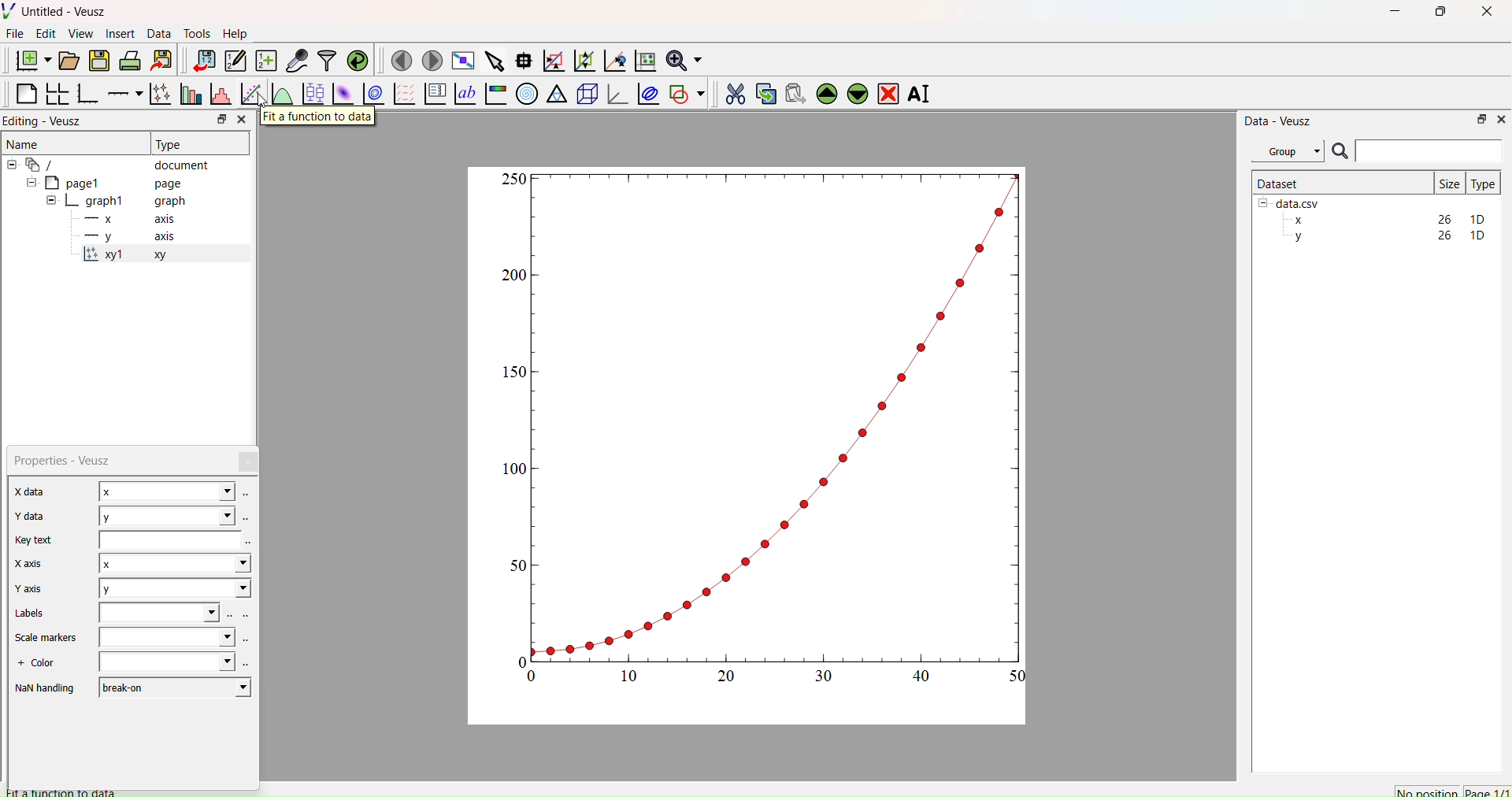 This screenshot has width=1512, height=797. What do you see at coordinates (326, 60) in the screenshot?
I see `Filter data` at bounding box center [326, 60].